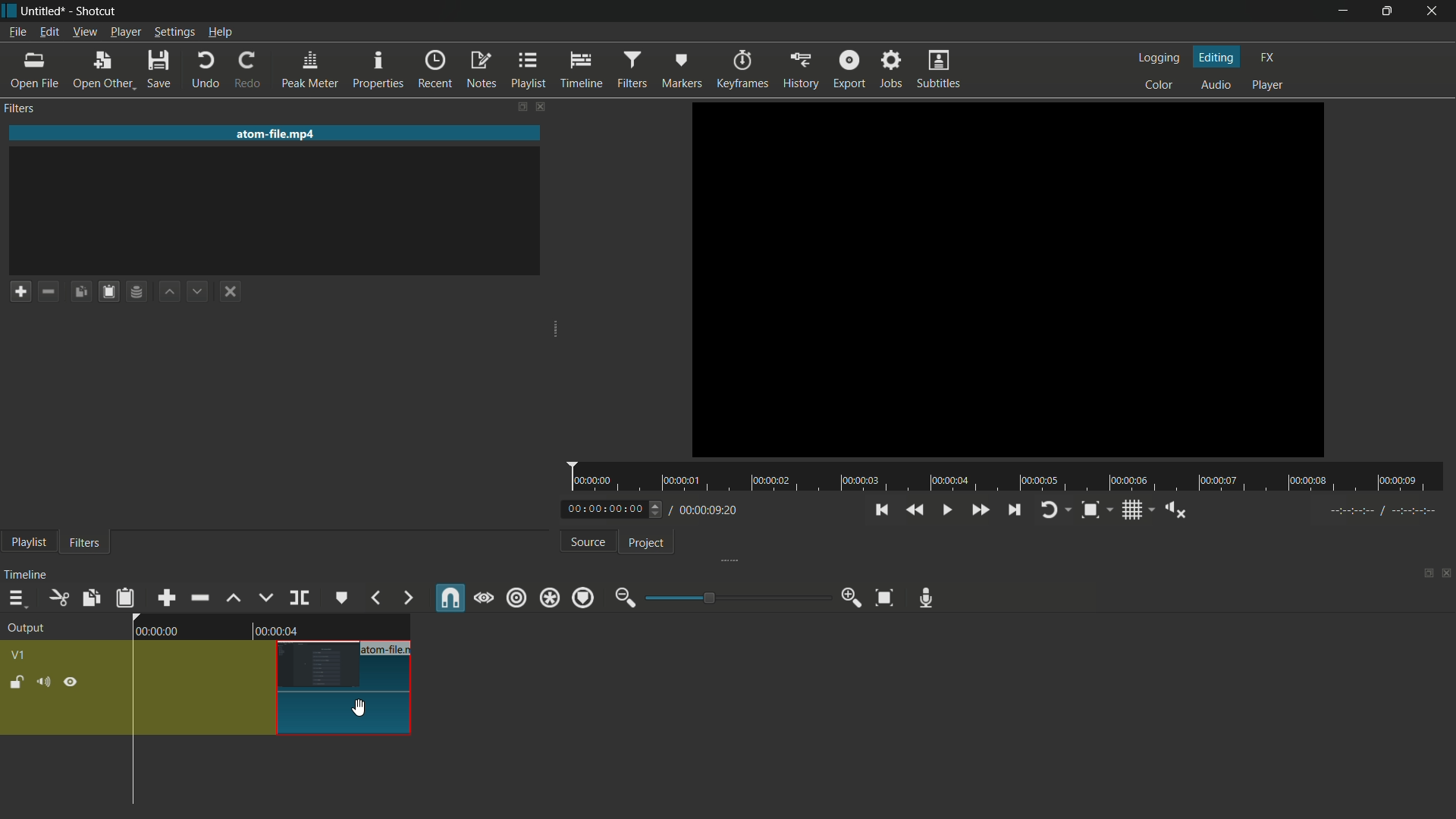  I want to click on v1, so click(22, 655).